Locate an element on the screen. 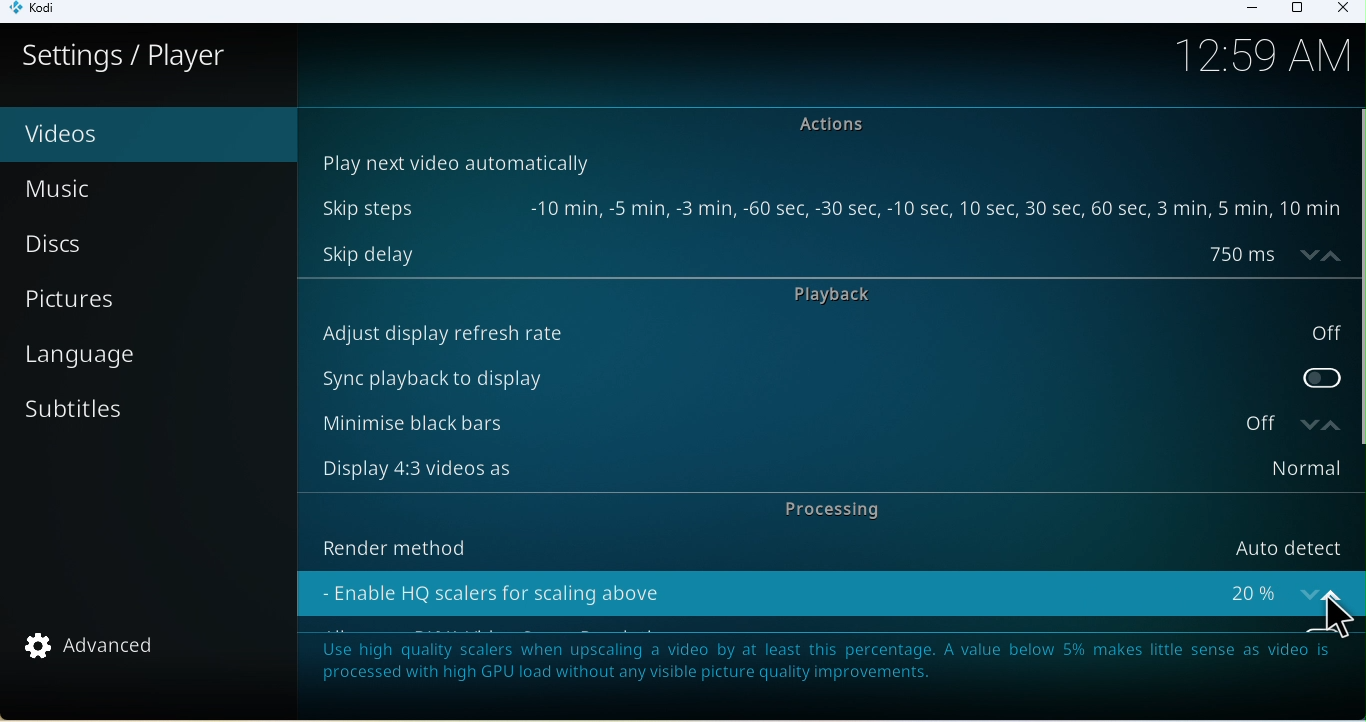  Video is located at coordinates (115, 135).